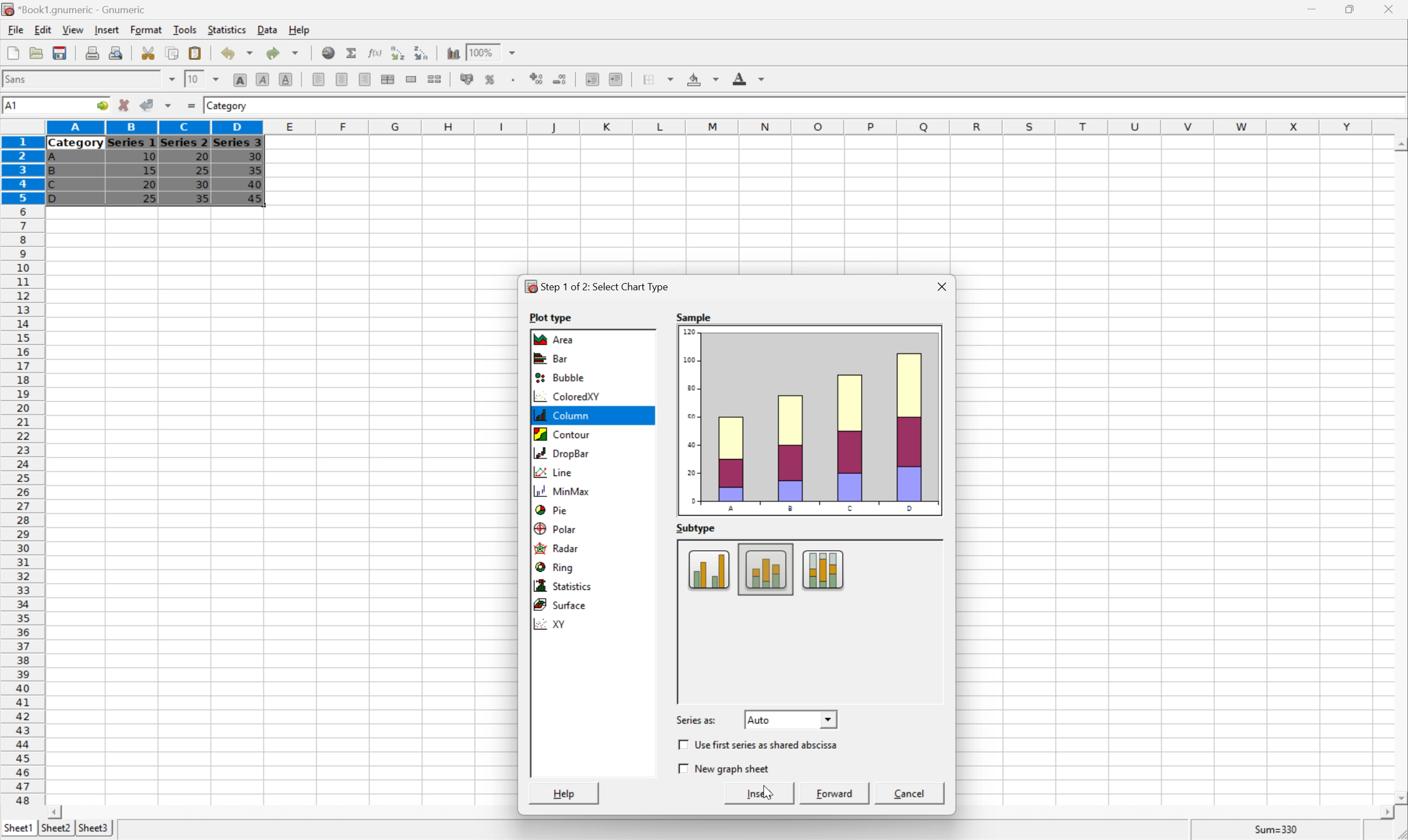 The width and height of the screenshot is (1408, 840). I want to click on Center horizontally across selection, so click(387, 78).